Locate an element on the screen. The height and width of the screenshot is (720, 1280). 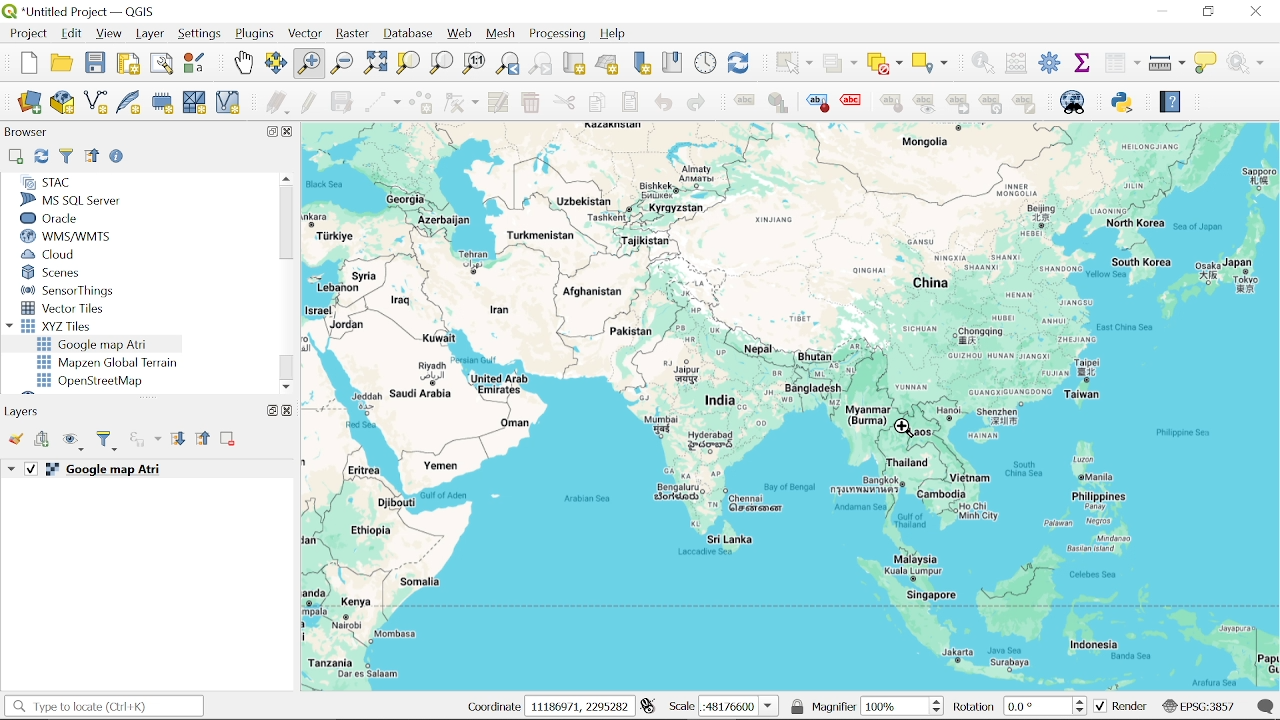
Show layout is located at coordinates (163, 65).